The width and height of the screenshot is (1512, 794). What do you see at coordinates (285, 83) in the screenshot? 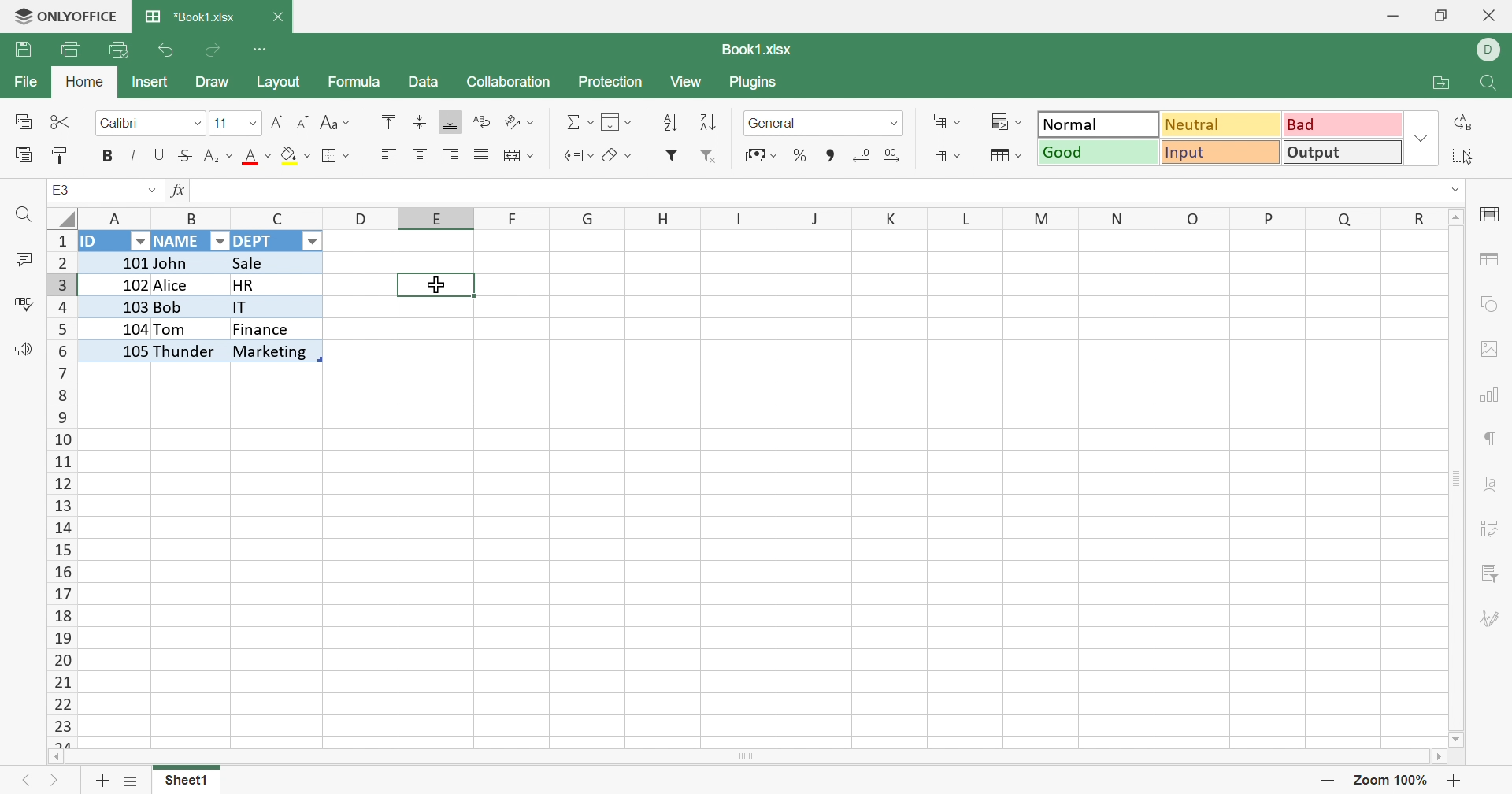
I see `Layout` at bounding box center [285, 83].